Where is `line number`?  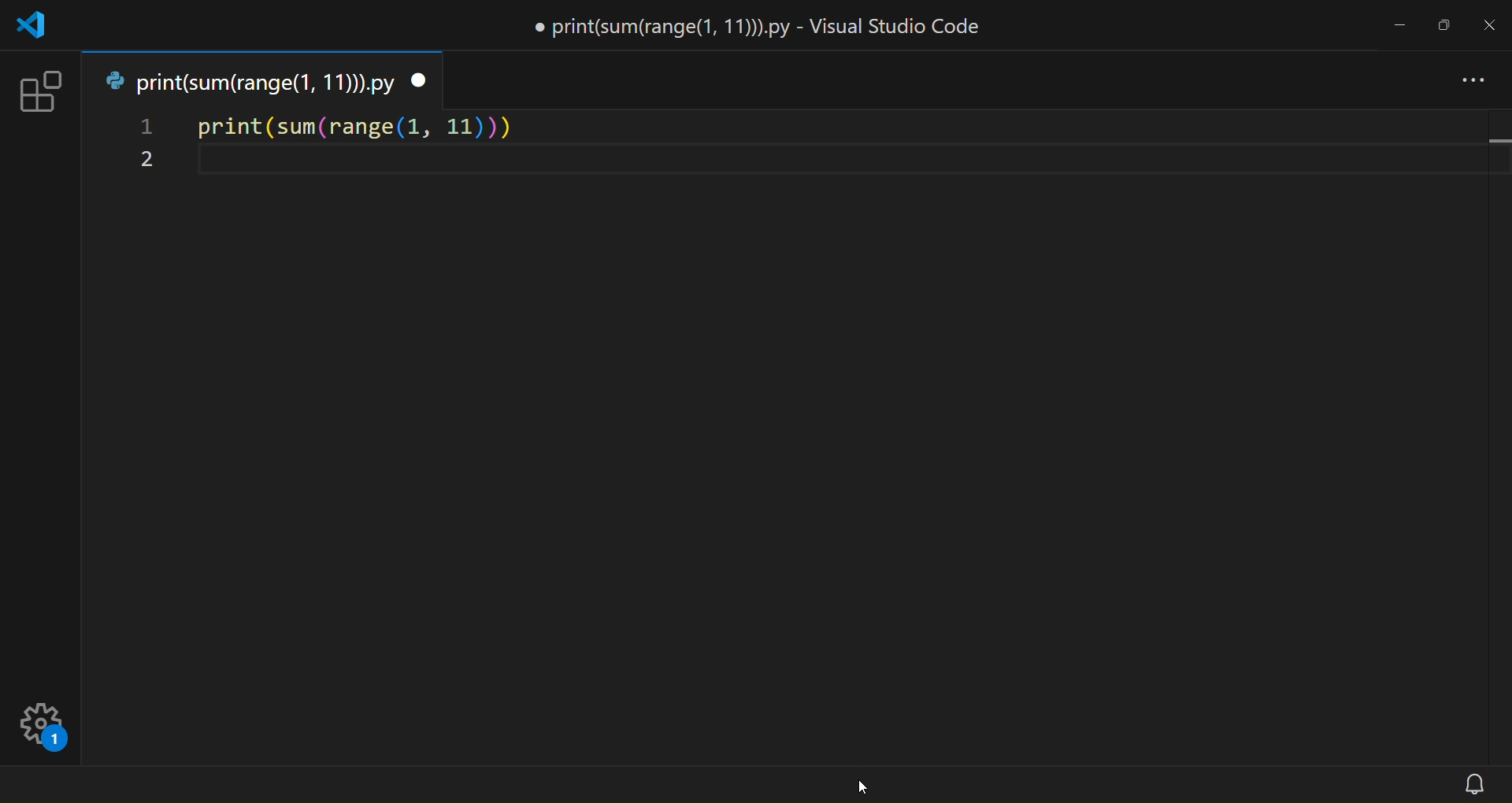
line number is located at coordinates (144, 146).